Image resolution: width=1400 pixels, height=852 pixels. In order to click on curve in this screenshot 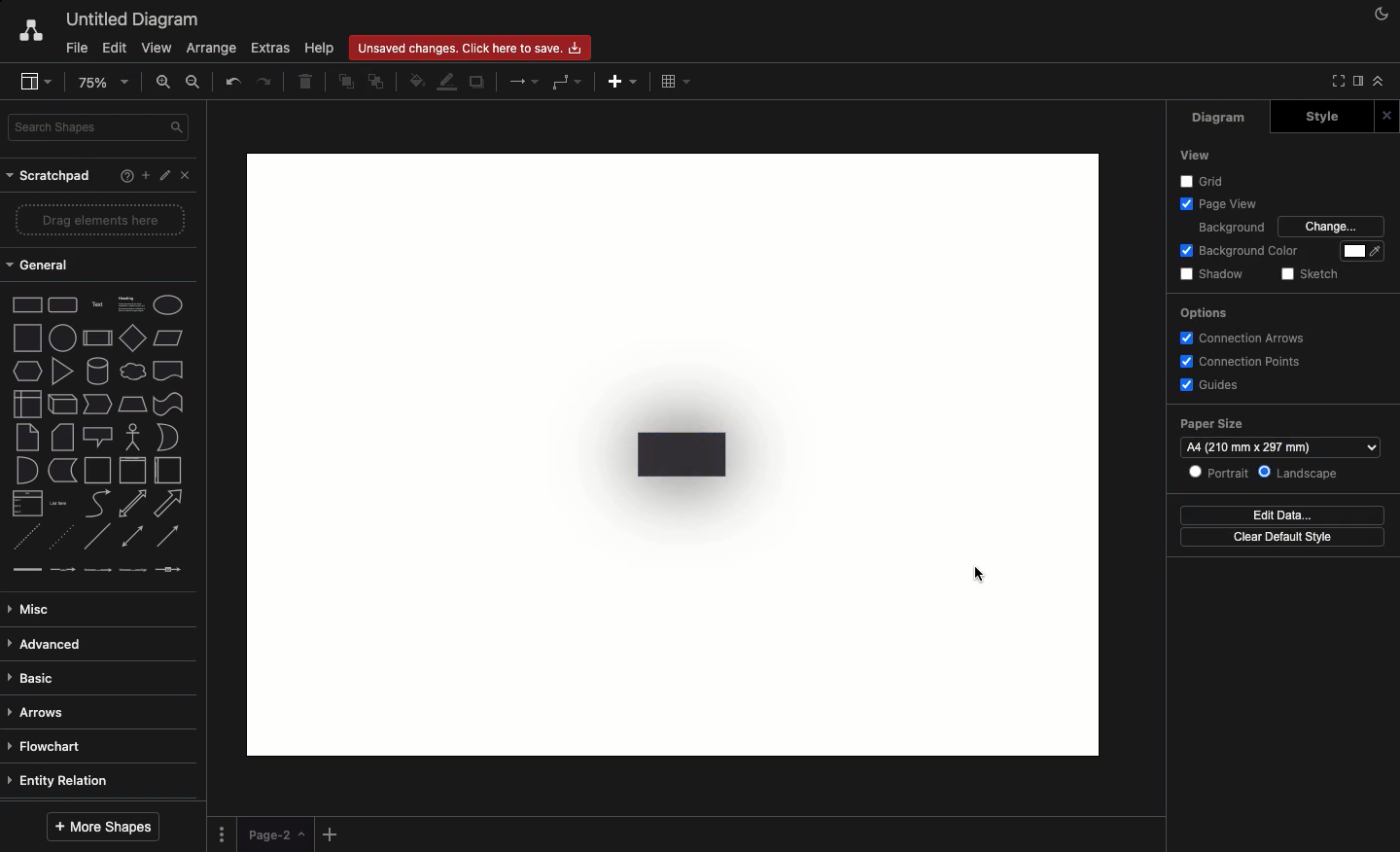, I will do `click(98, 505)`.